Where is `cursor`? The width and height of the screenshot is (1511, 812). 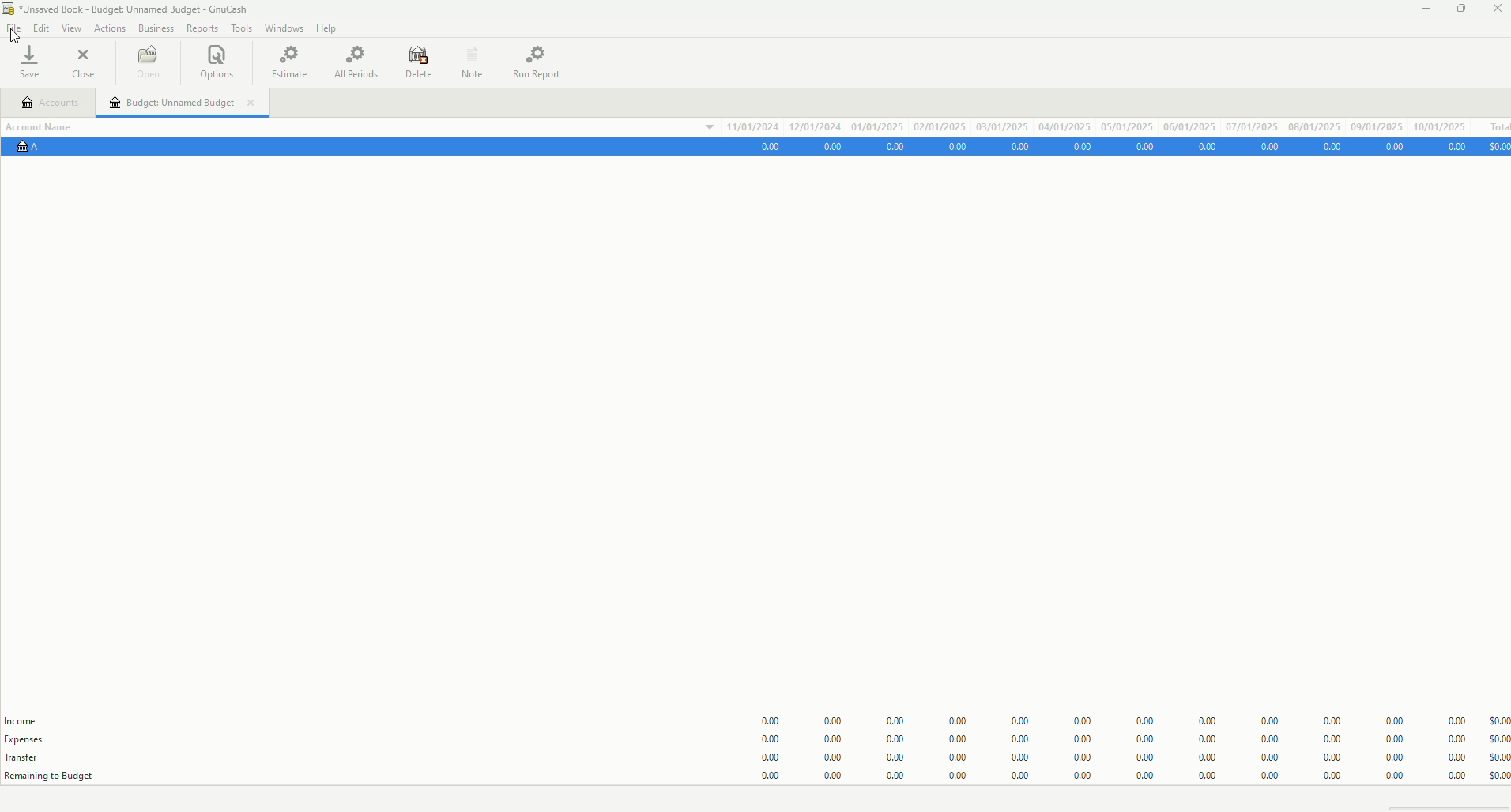 cursor is located at coordinates (19, 36).